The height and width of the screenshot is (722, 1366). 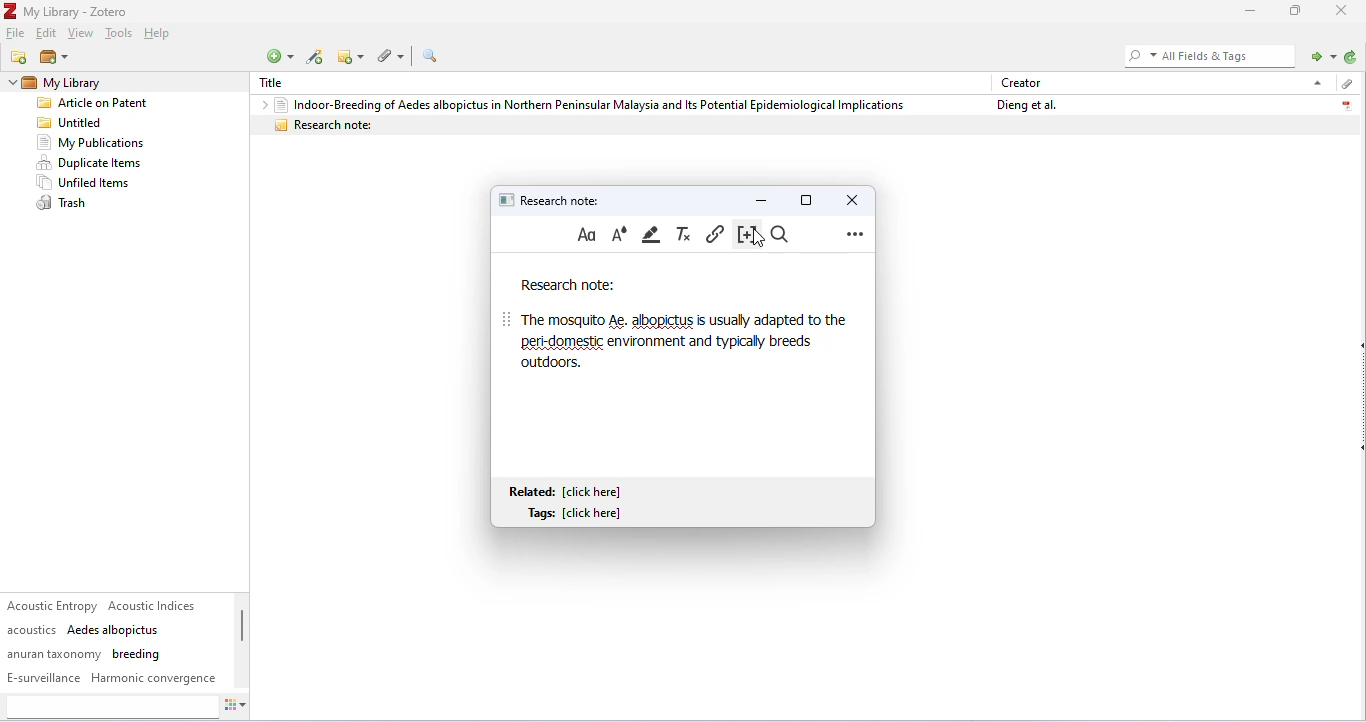 What do you see at coordinates (744, 235) in the screenshot?
I see `insert citation` at bounding box center [744, 235].